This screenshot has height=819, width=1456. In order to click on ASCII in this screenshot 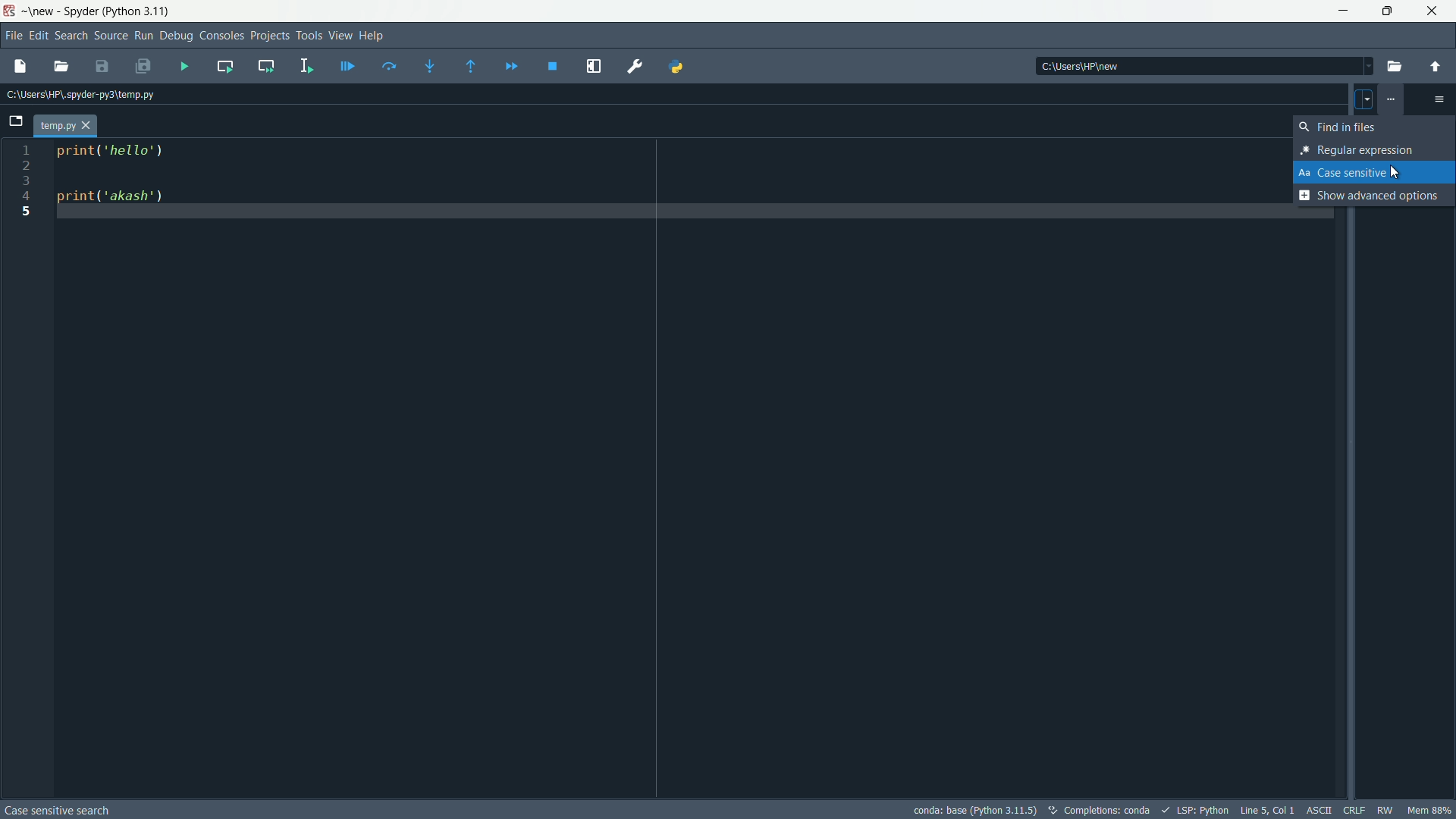, I will do `click(1321, 808)`.